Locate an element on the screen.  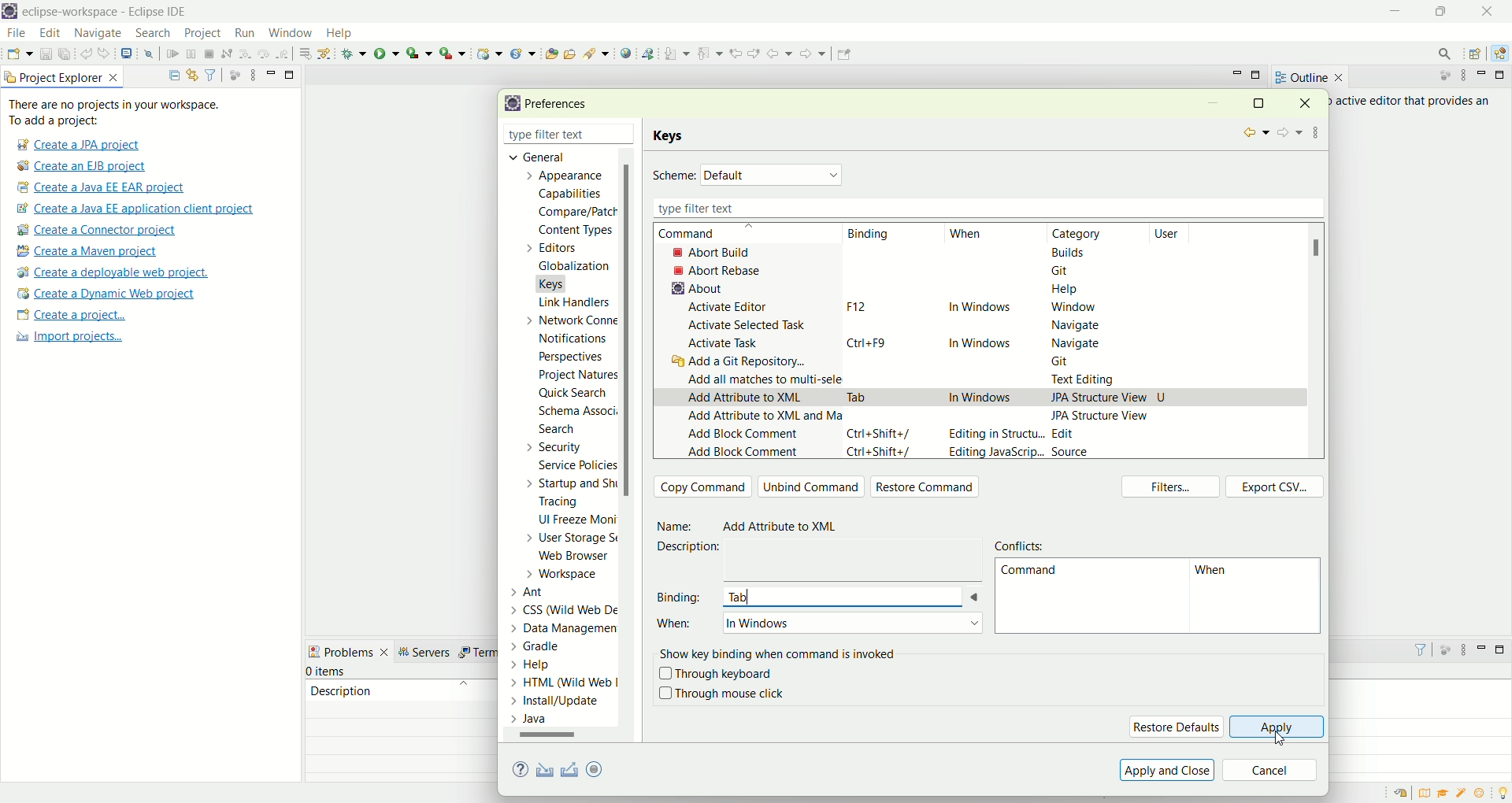
collapse all is located at coordinates (170, 76).